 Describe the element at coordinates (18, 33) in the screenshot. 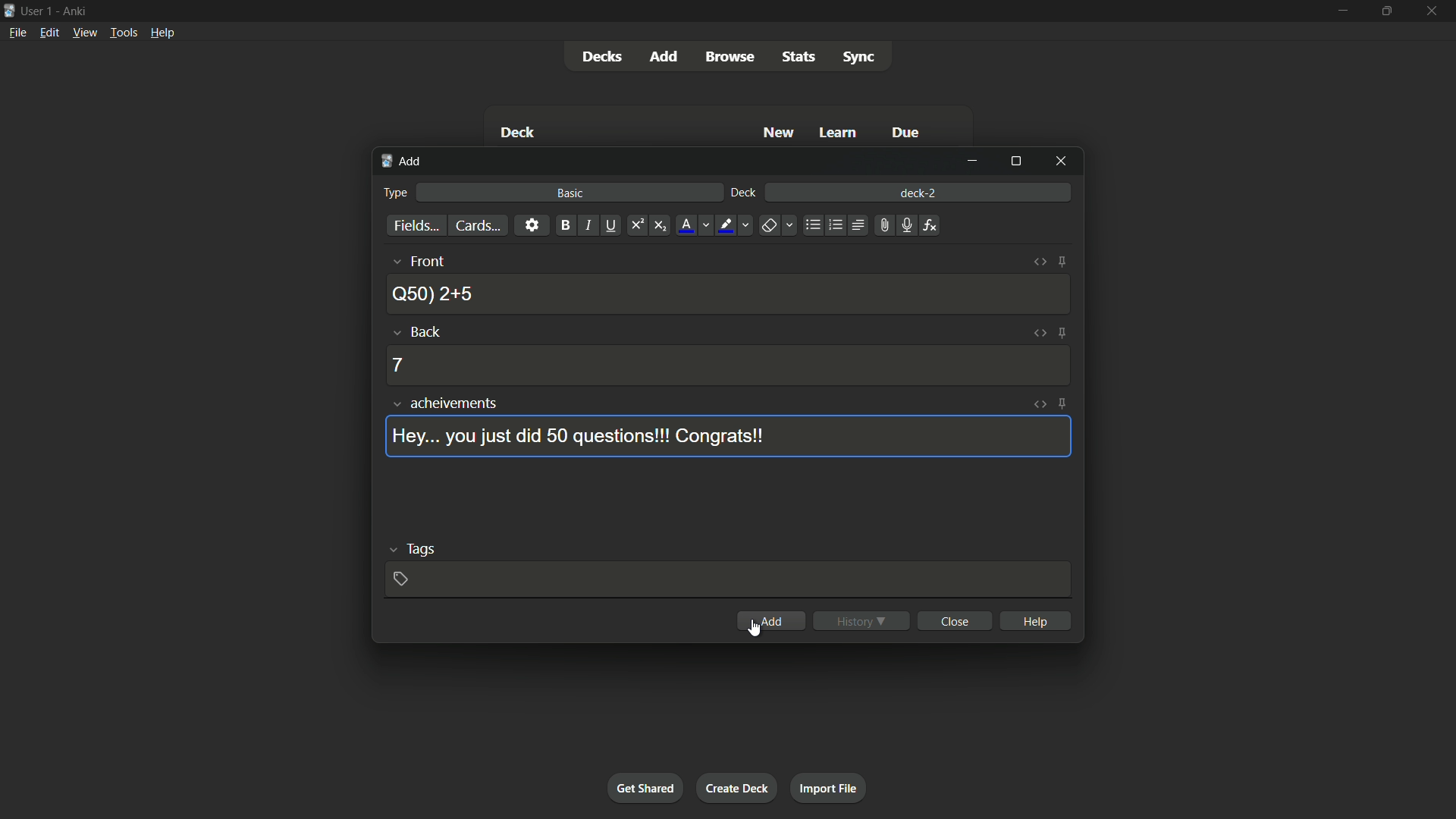

I see `file menu` at that location.